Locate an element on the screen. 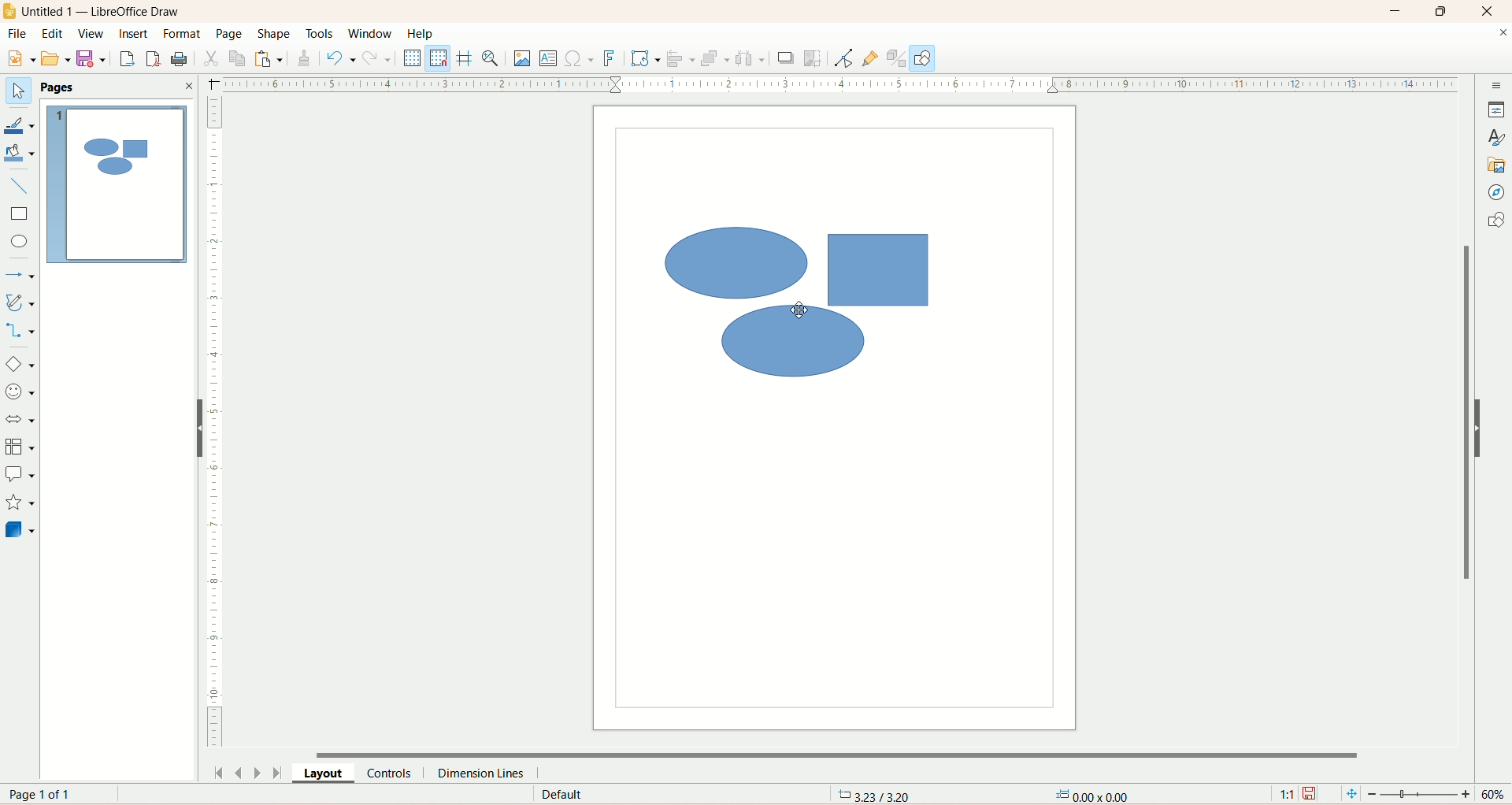 This screenshot has width=1512, height=805. coordinates is located at coordinates (871, 796).